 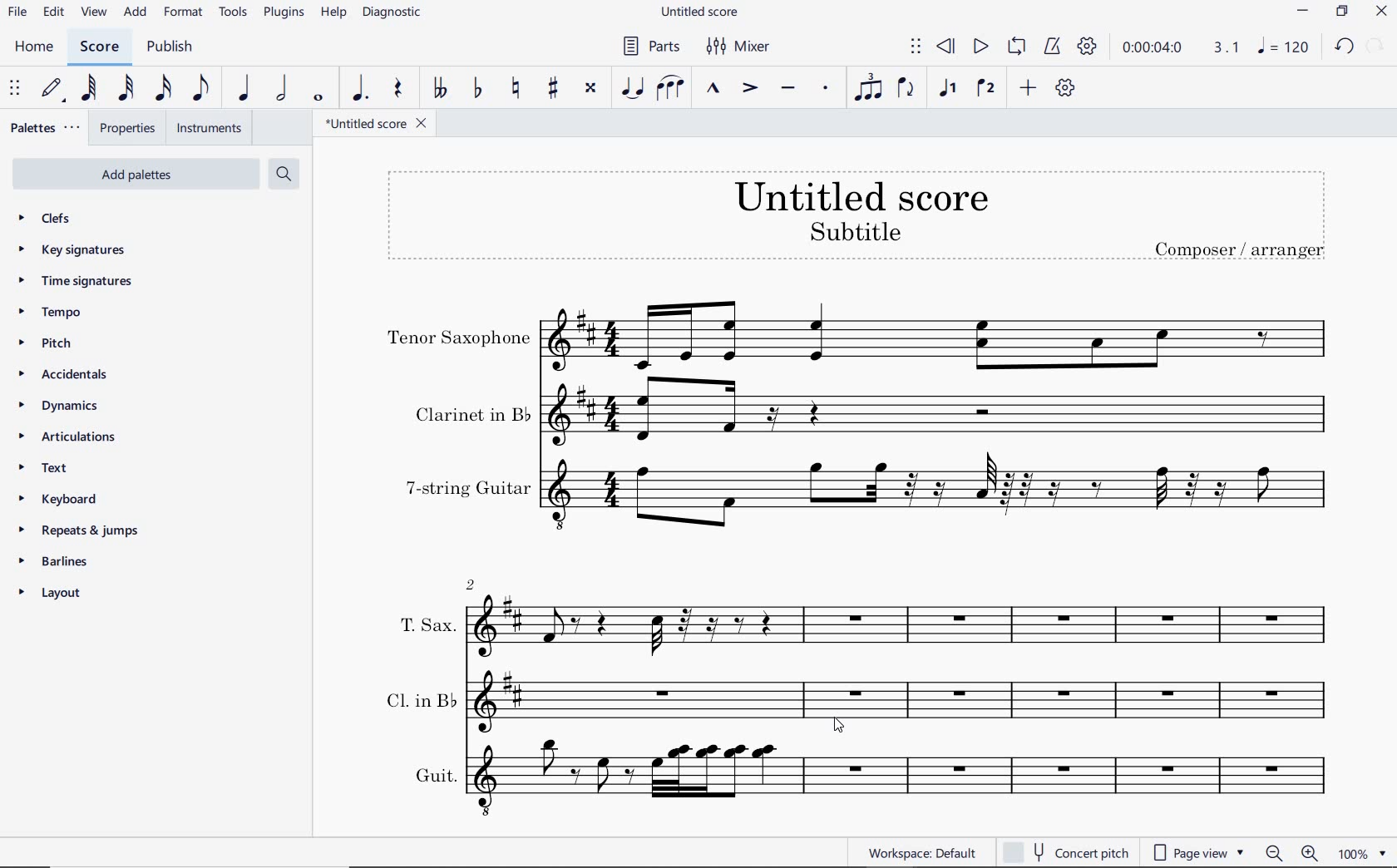 I want to click on EDIT, so click(x=54, y=12).